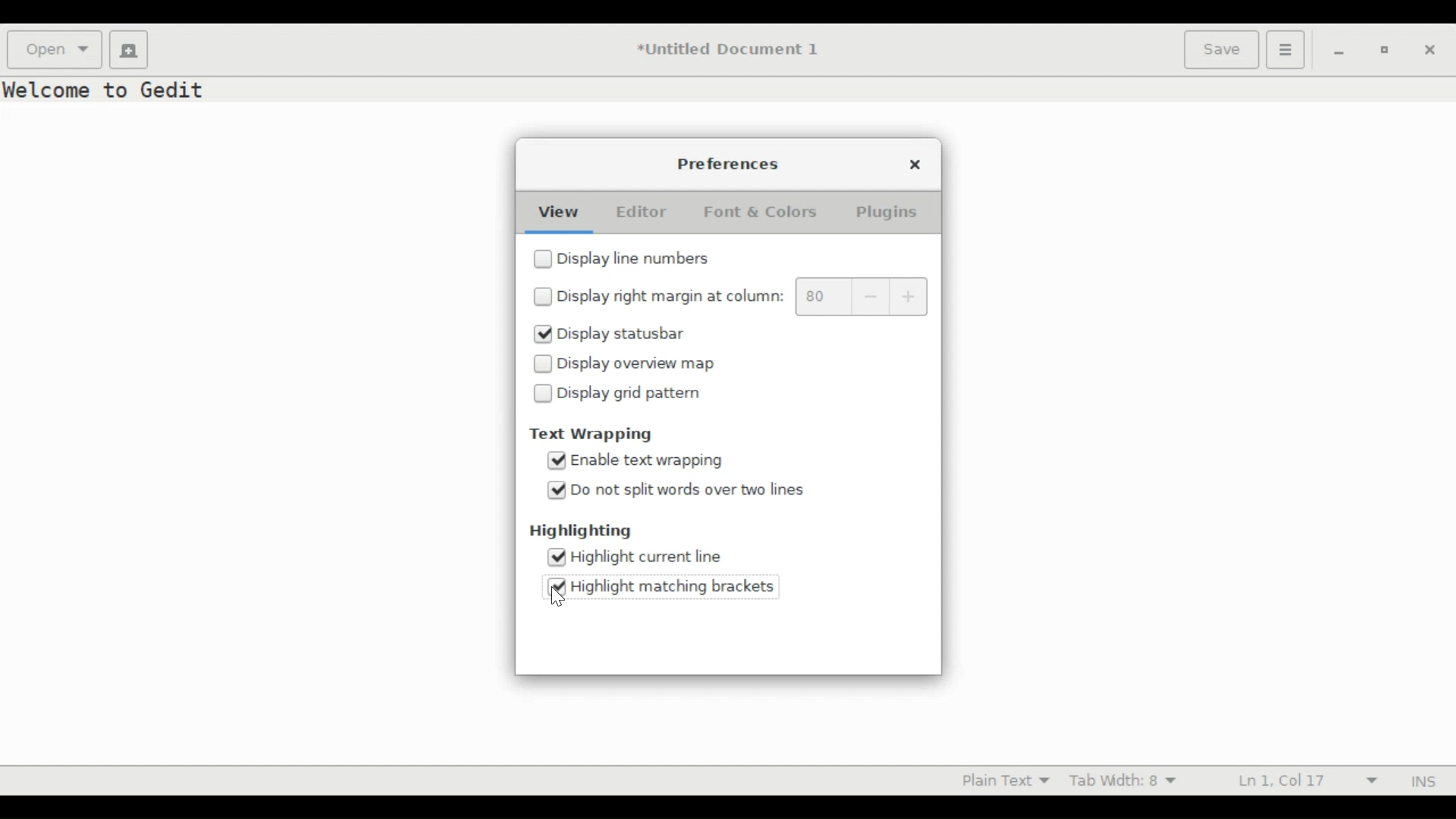  Describe the element at coordinates (544, 296) in the screenshot. I see `checkbox` at that location.